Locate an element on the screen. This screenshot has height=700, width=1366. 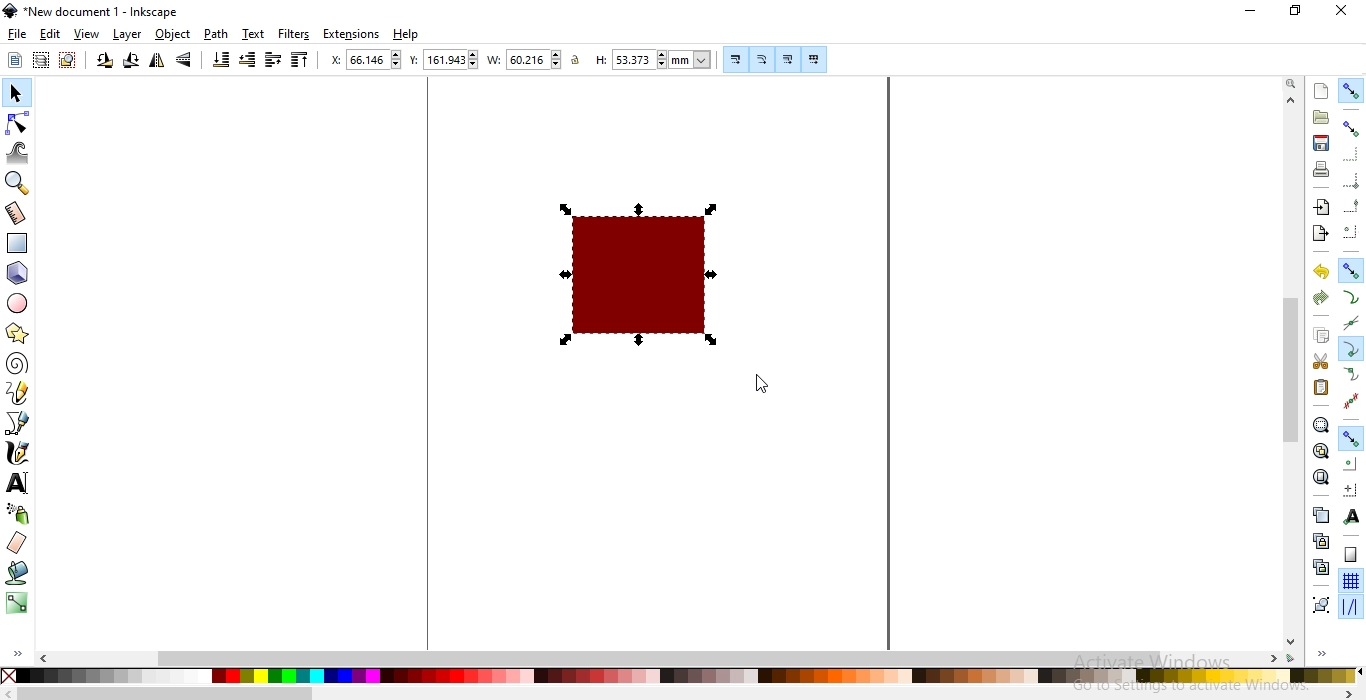
cursor is located at coordinates (760, 385).